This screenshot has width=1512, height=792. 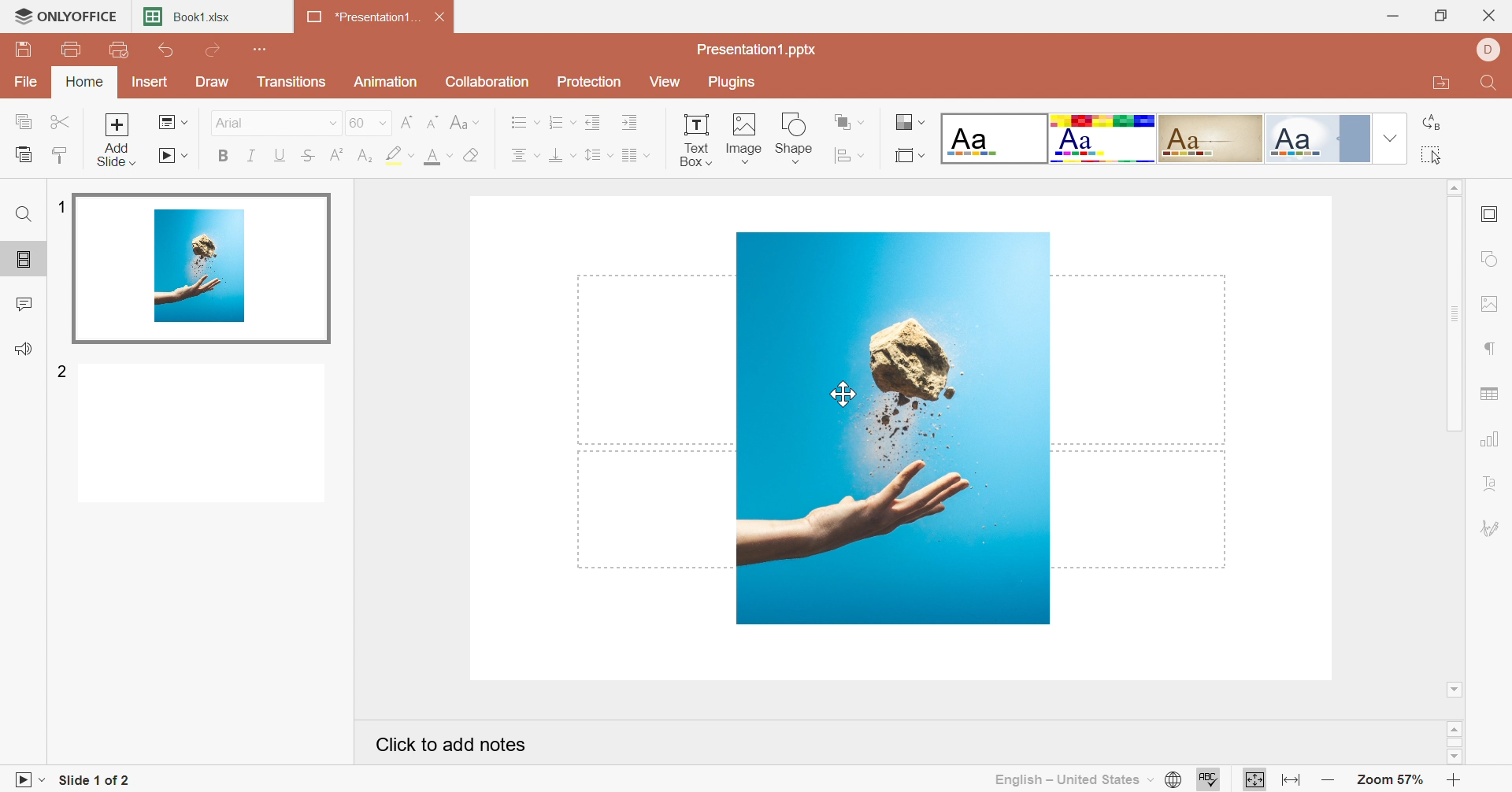 What do you see at coordinates (1493, 437) in the screenshot?
I see `chart settings` at bounding box center [1493, 437].